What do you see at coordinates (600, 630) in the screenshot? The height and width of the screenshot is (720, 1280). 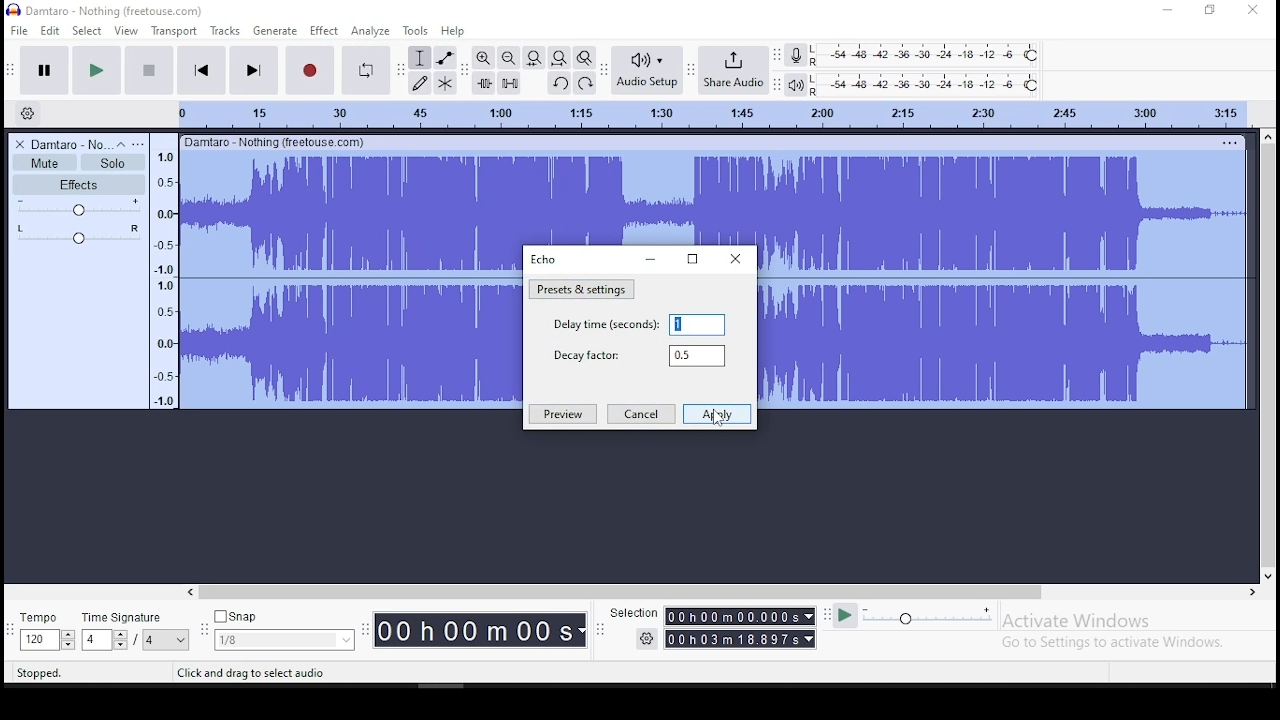 I see `` at bounding box center [600, 630].